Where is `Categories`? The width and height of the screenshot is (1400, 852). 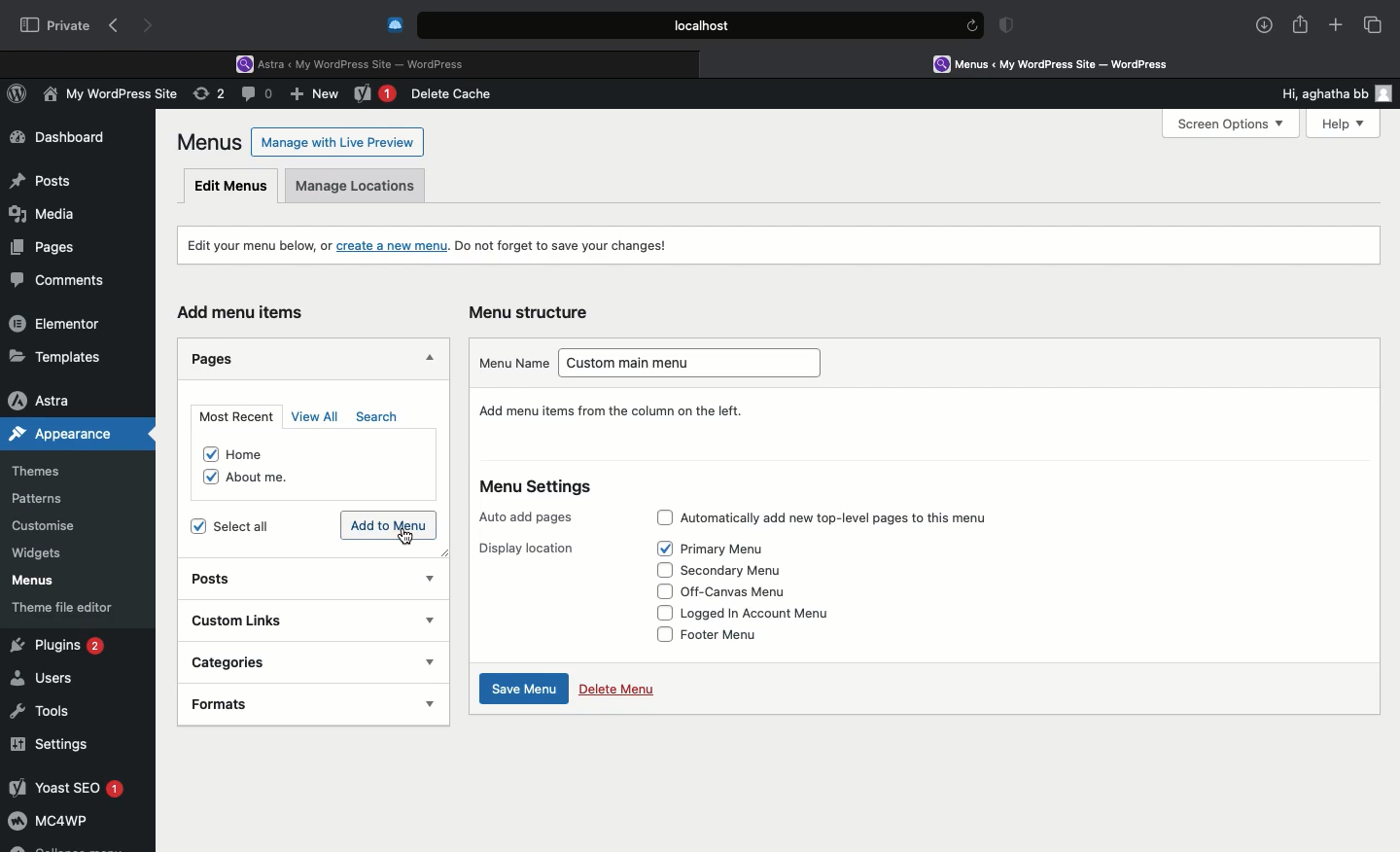
Categories is located at coordinates (269, 661).